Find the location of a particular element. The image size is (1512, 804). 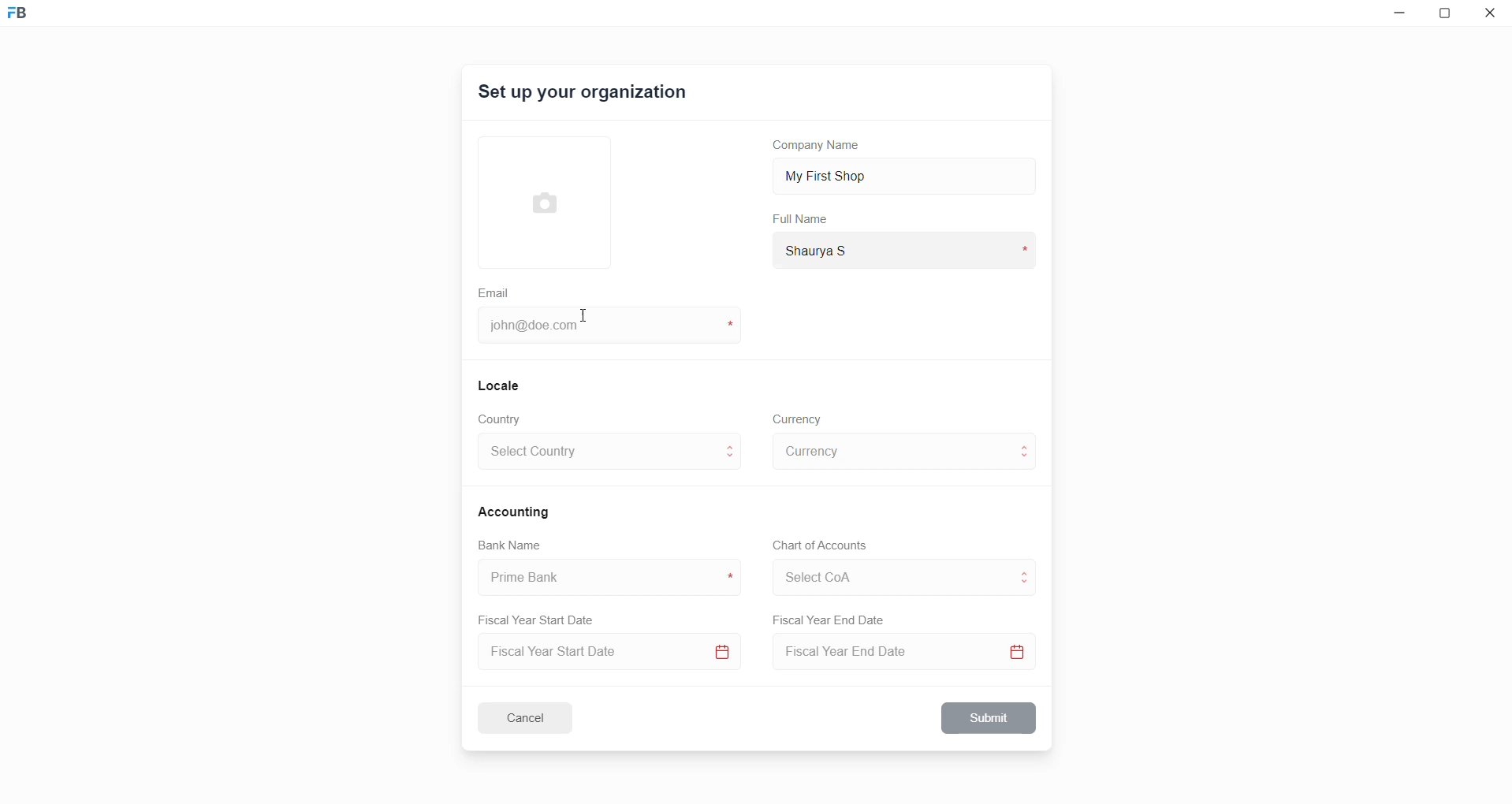

select country is located at coordinates (598, 454).